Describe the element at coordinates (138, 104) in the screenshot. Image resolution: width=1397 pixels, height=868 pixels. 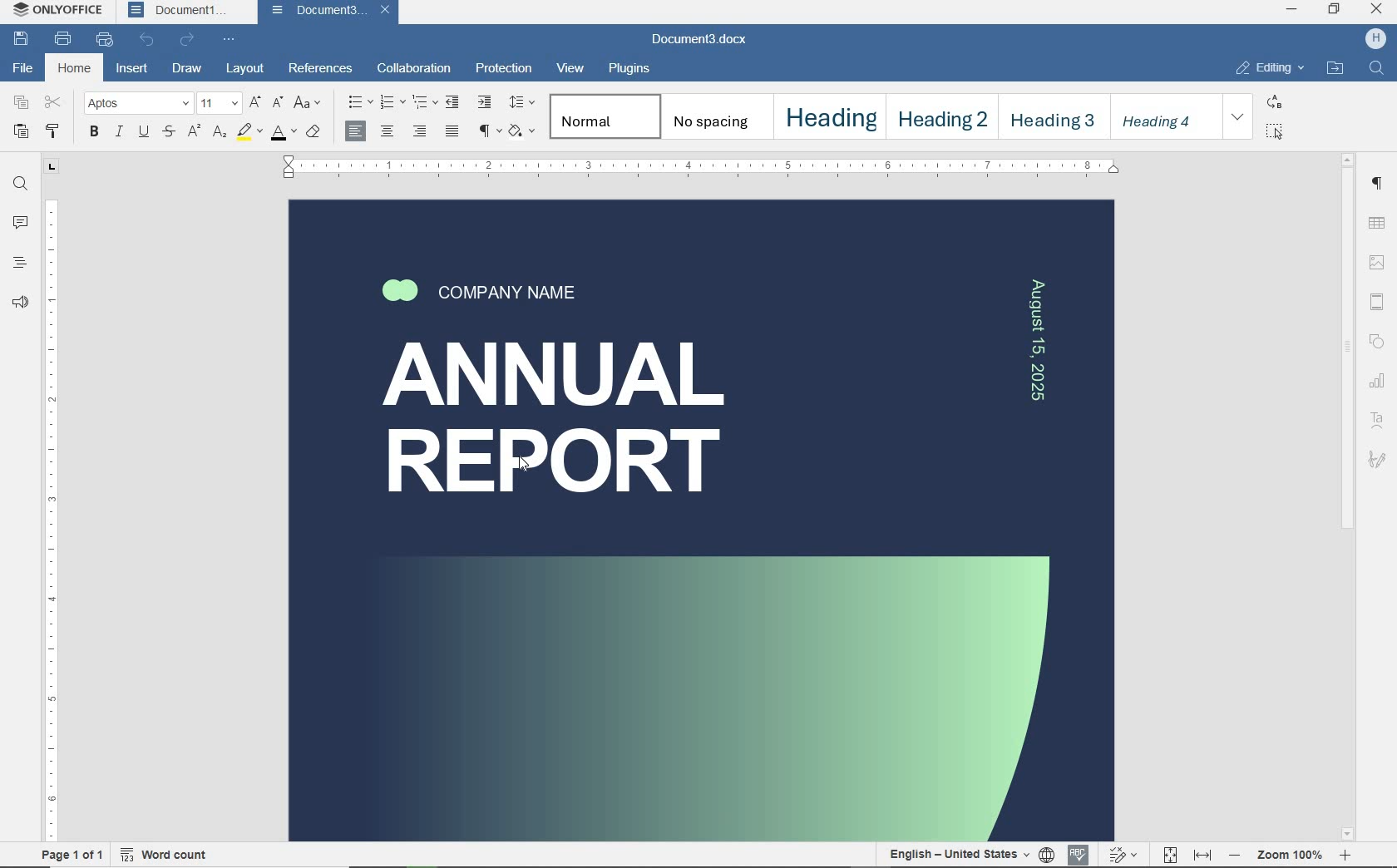
I see `font` at that location.